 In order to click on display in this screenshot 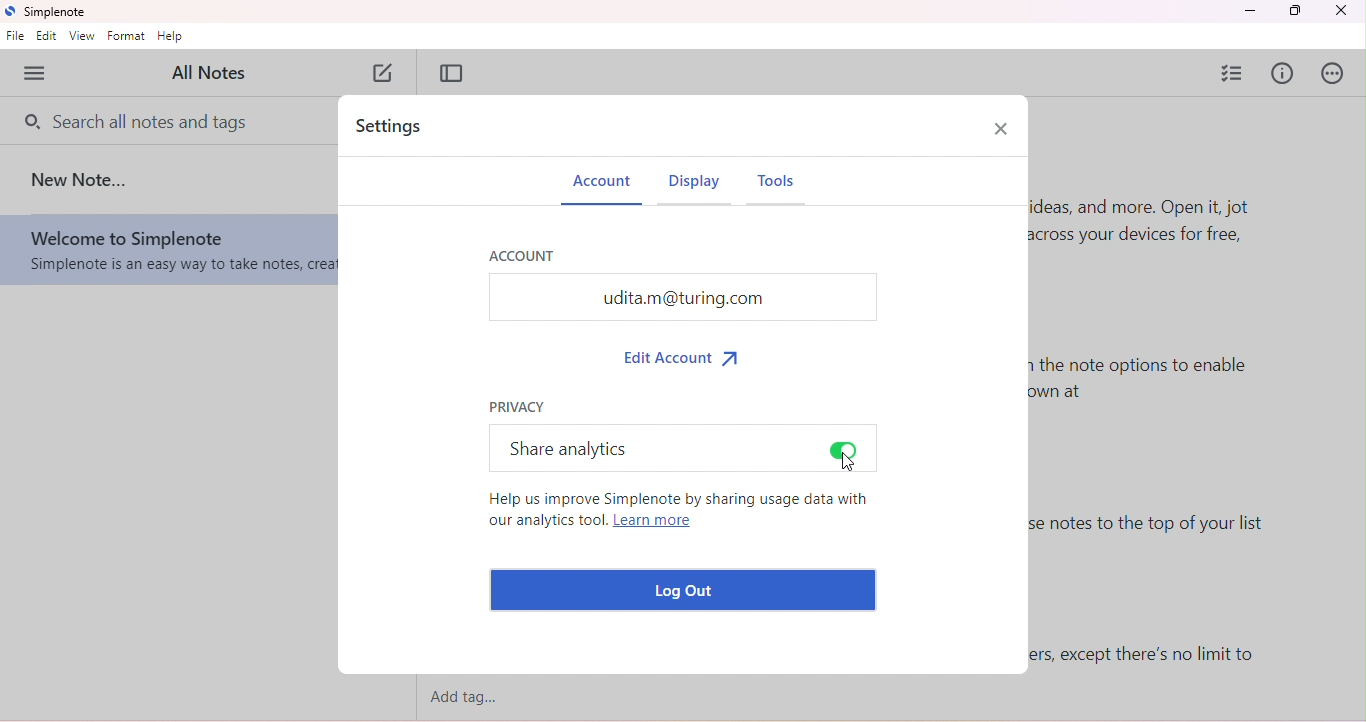, I will do `click(695, 187)`.